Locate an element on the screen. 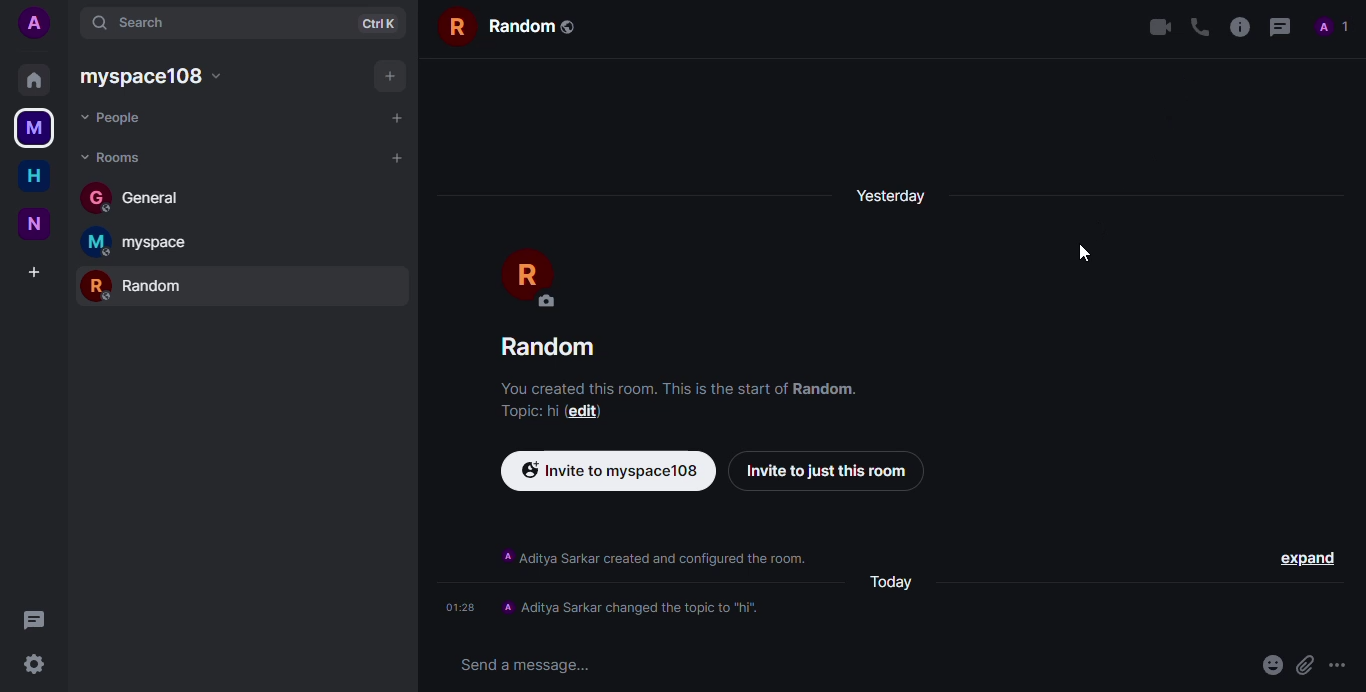  send message is located at coordinates (527, 663).